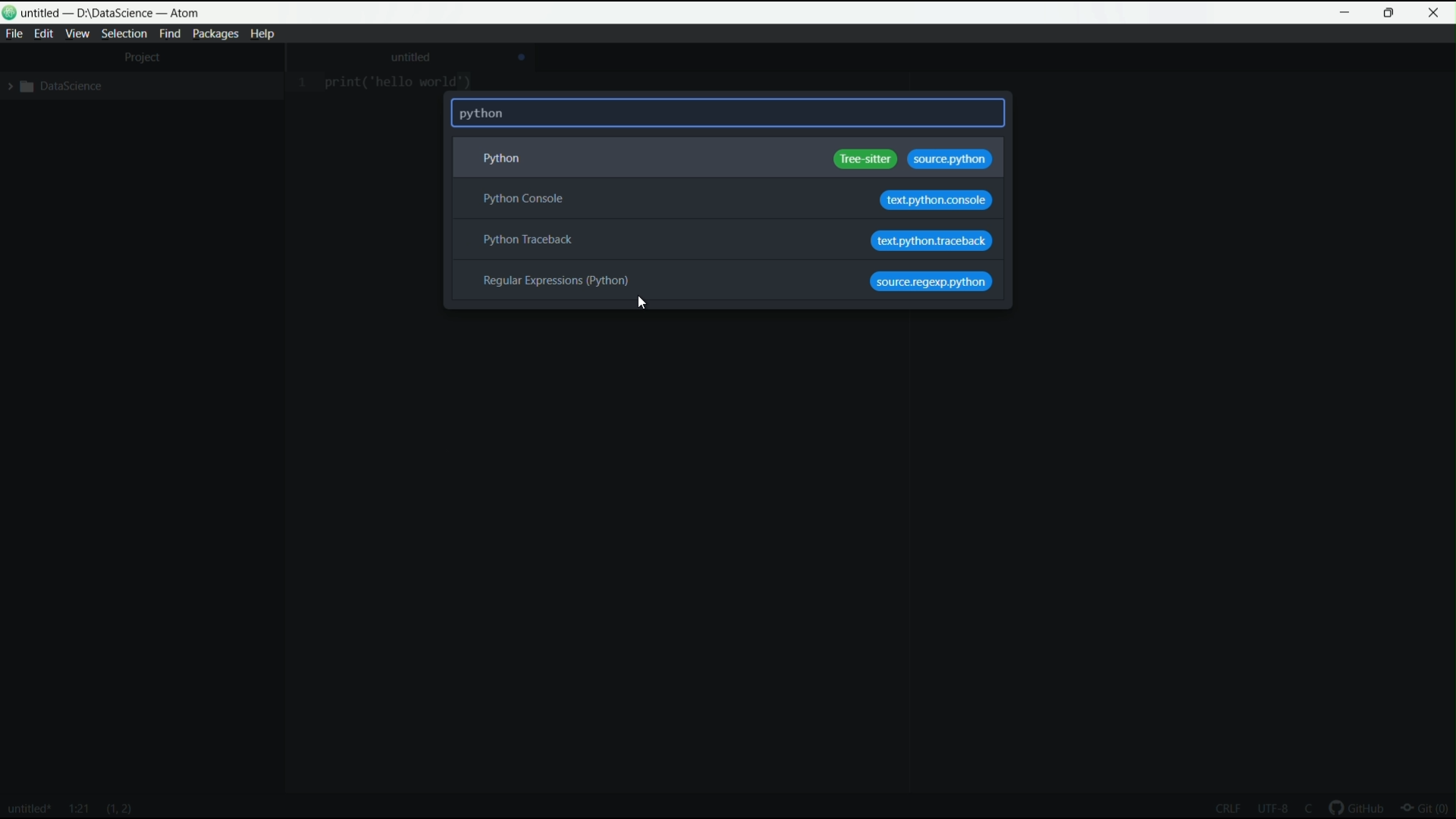 Image resolution: width=1456 pixels, height=819 pixels. I want to click on encoding, so click(1272, 810).